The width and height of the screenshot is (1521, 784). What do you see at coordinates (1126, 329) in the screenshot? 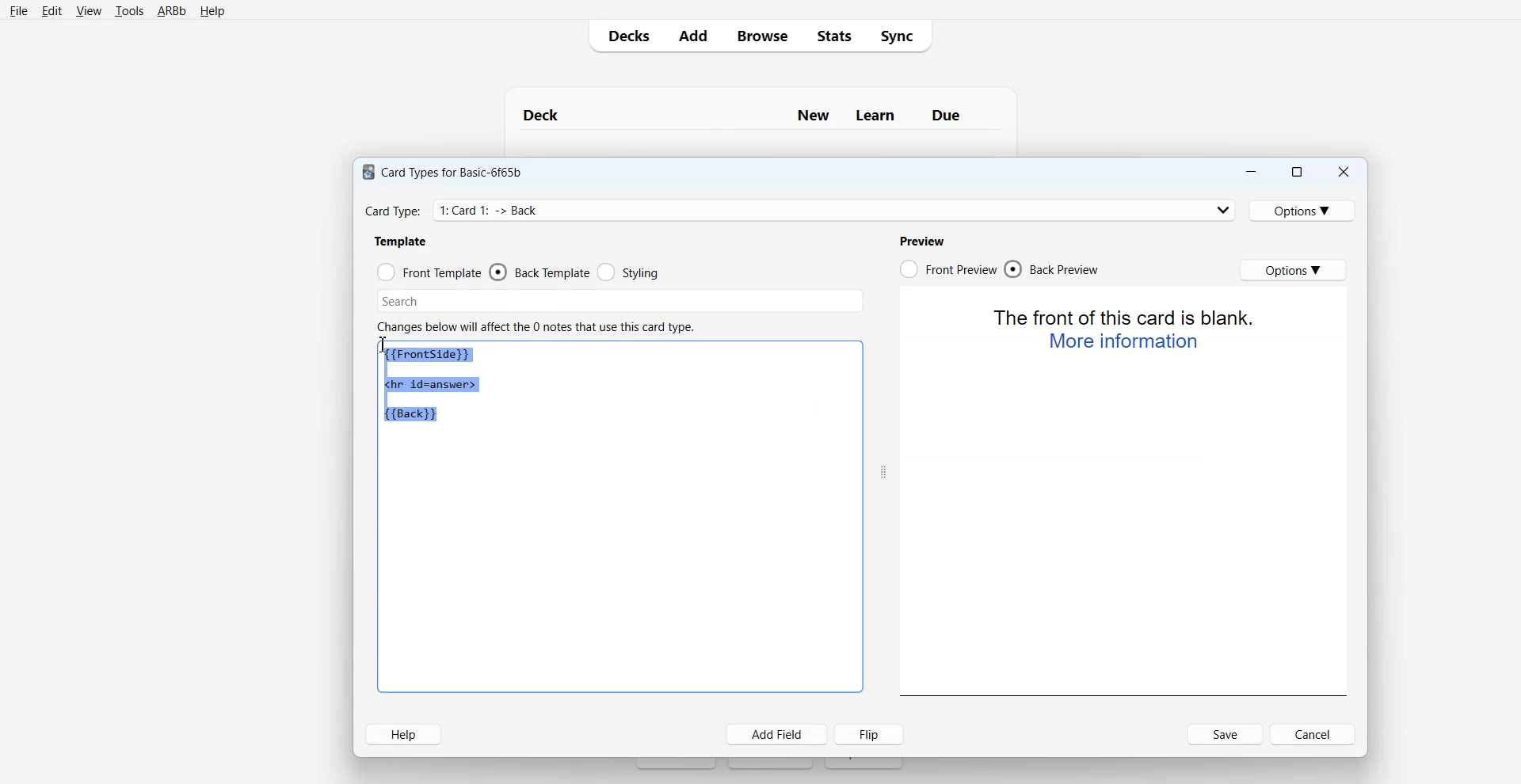
I see `Text 2` at bounding box center [1126, 329].